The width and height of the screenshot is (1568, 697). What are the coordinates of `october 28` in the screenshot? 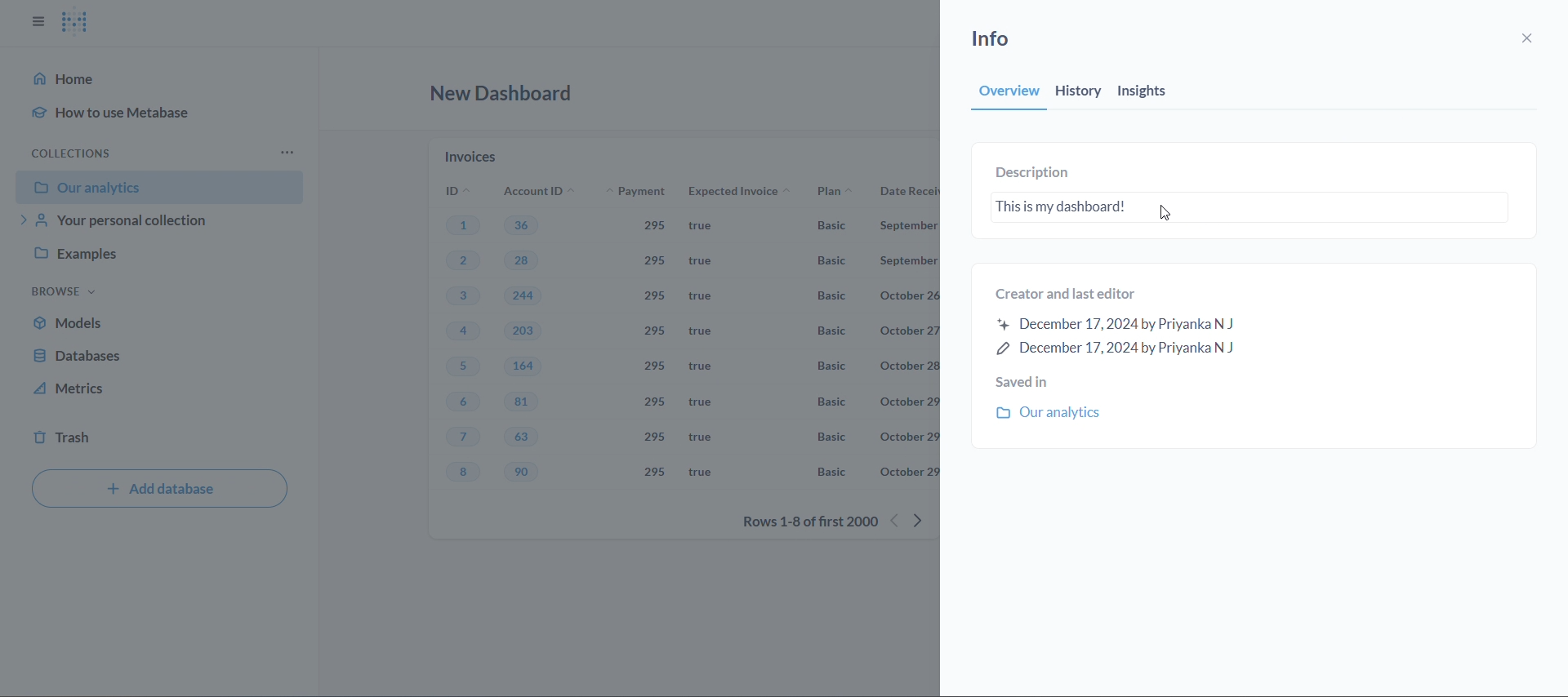 It's located at (905, 366).